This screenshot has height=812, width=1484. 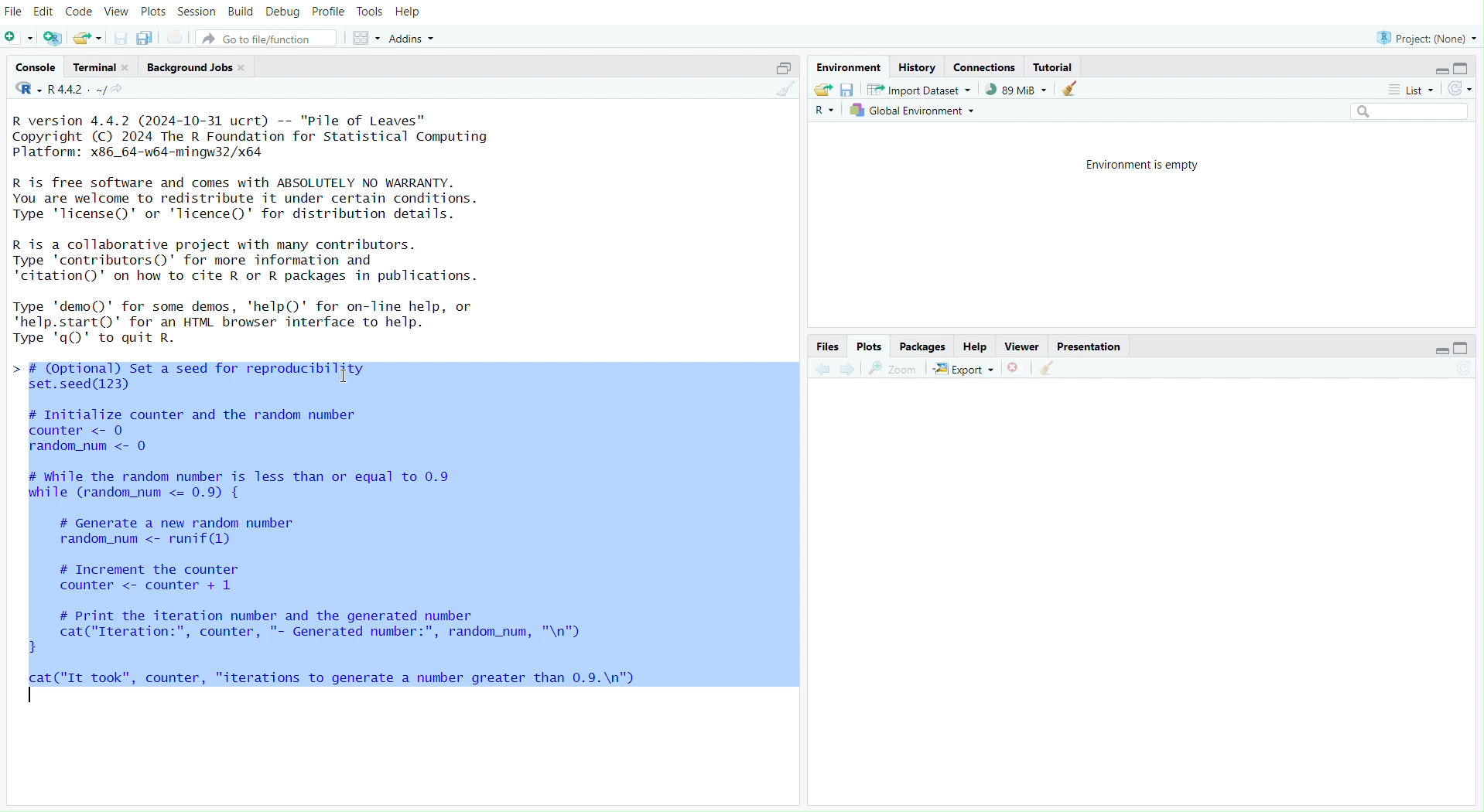 What do you see at coordinates (784, 94) in the screenshot?
I see `Clear Console (Ctrl + L)` at bounding box center [784, 94].